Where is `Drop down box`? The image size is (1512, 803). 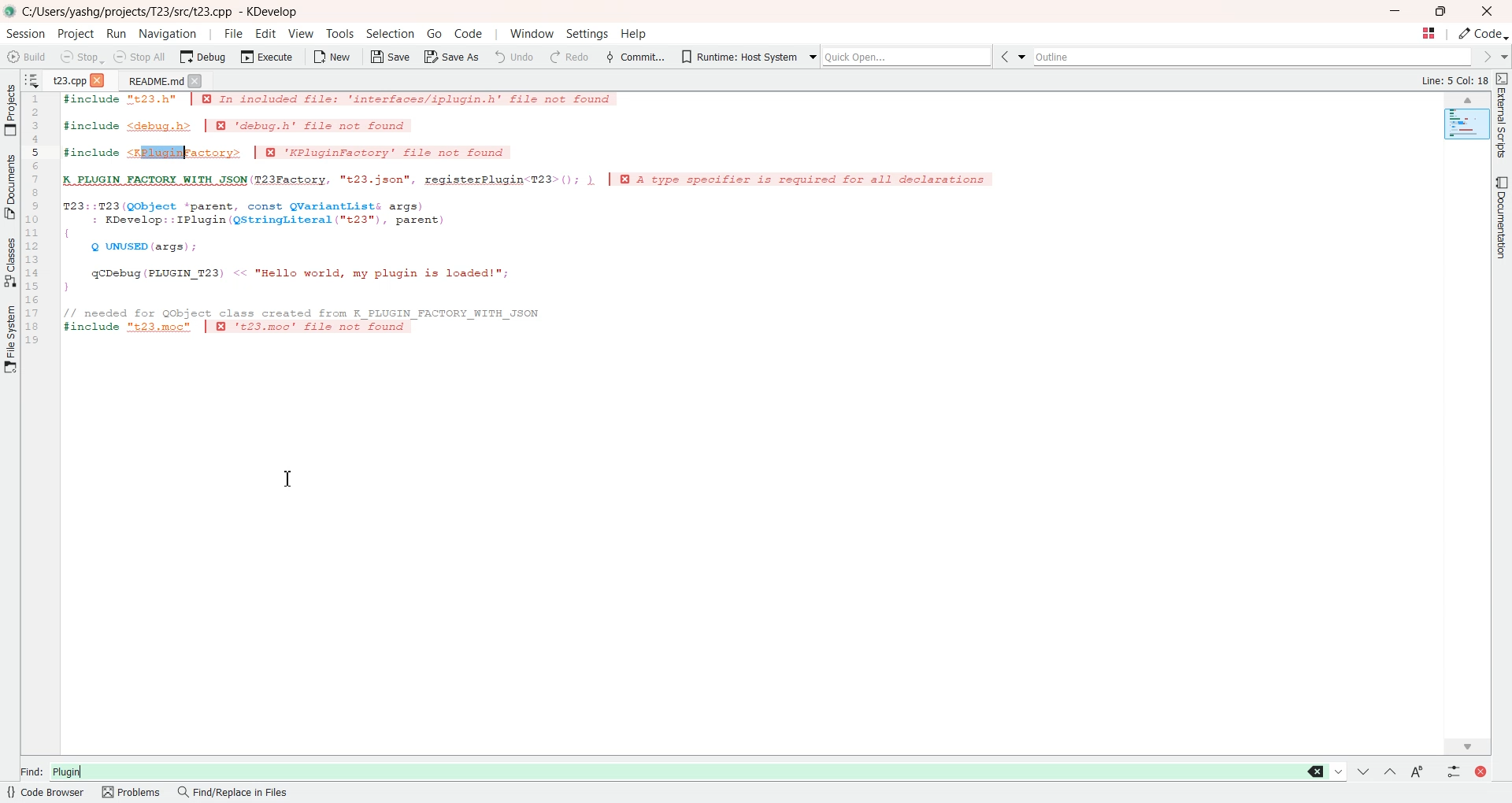 Drop down box is located at coordinates (1503, 57).